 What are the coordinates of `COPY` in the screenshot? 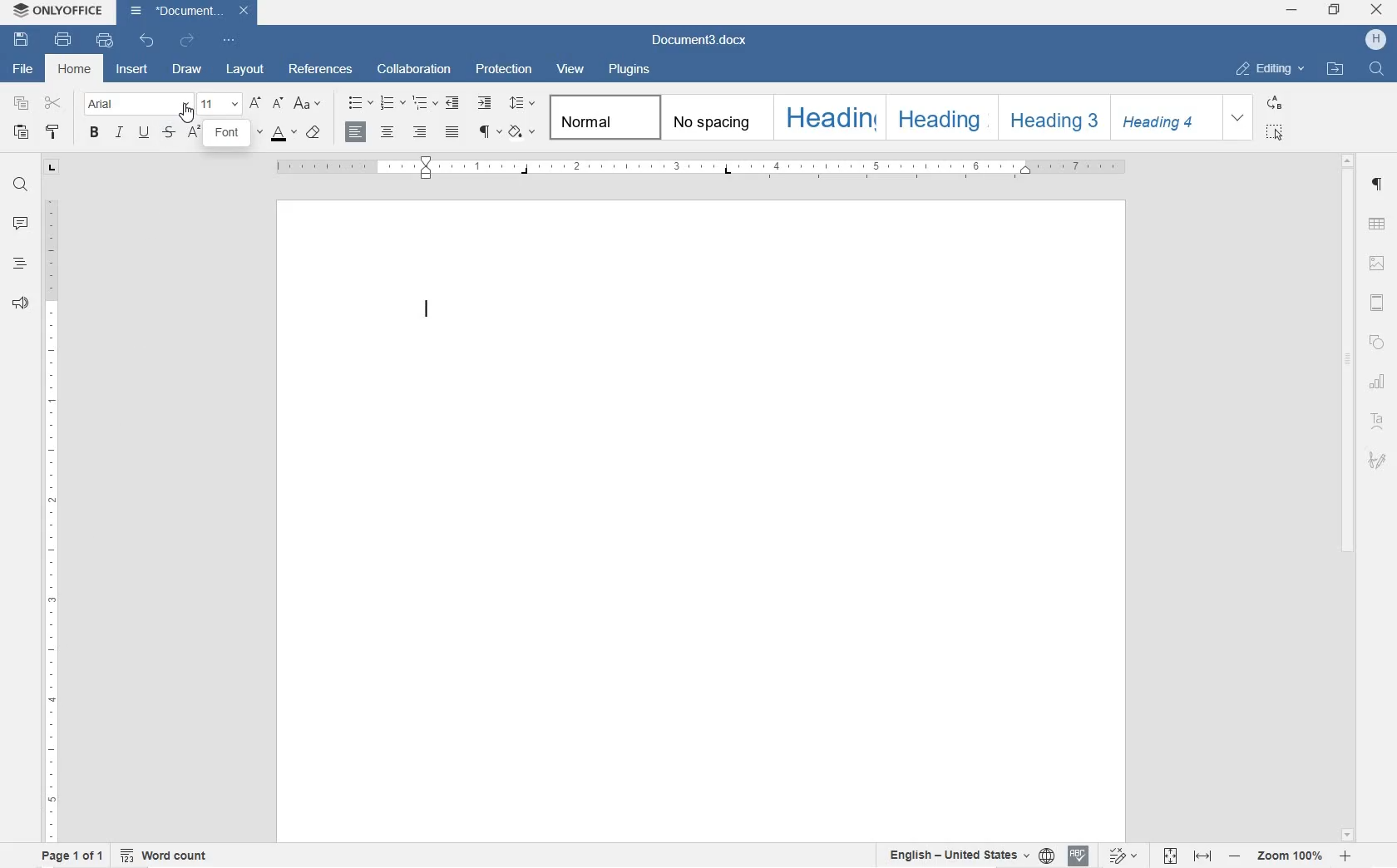 It's located at (22, 103).